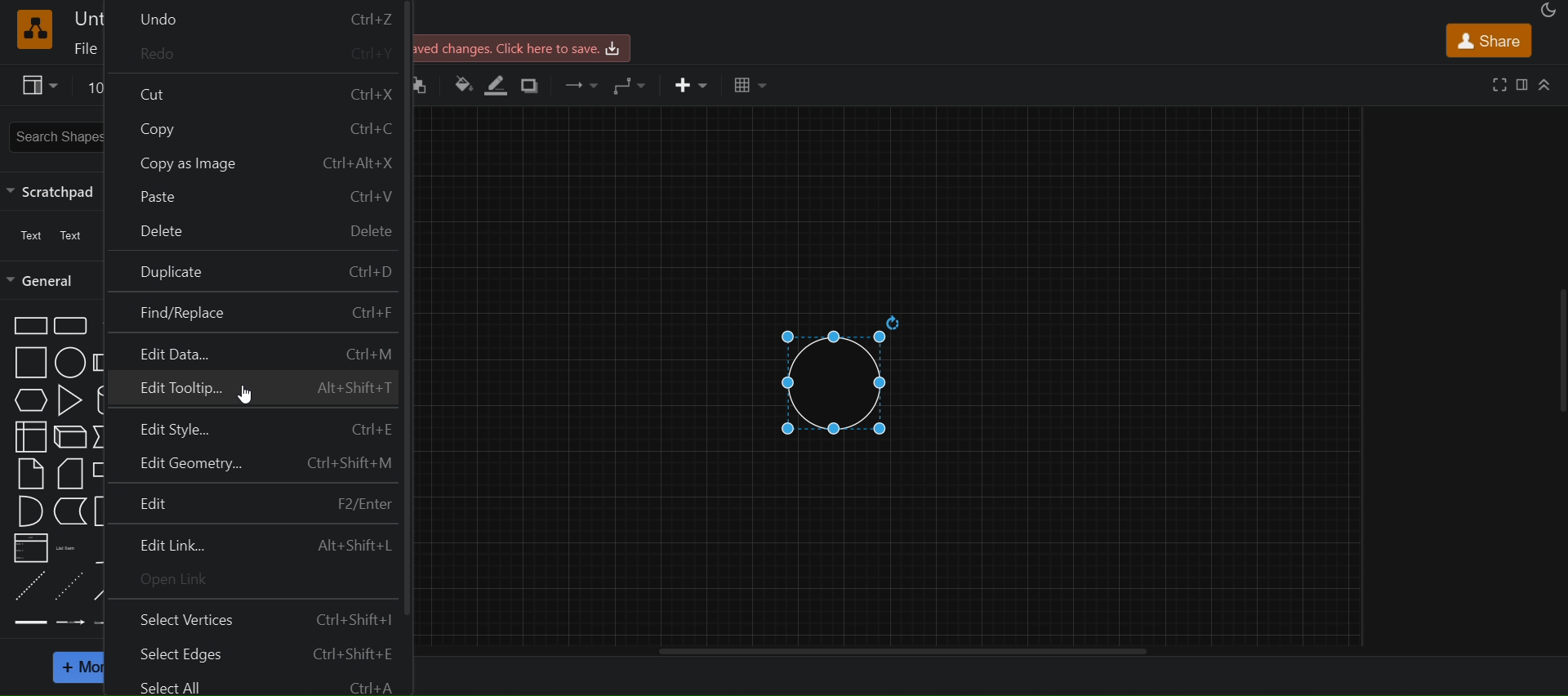 This screenshot has width=1568, height=696. I want to click on edit link, so click(253, 542).